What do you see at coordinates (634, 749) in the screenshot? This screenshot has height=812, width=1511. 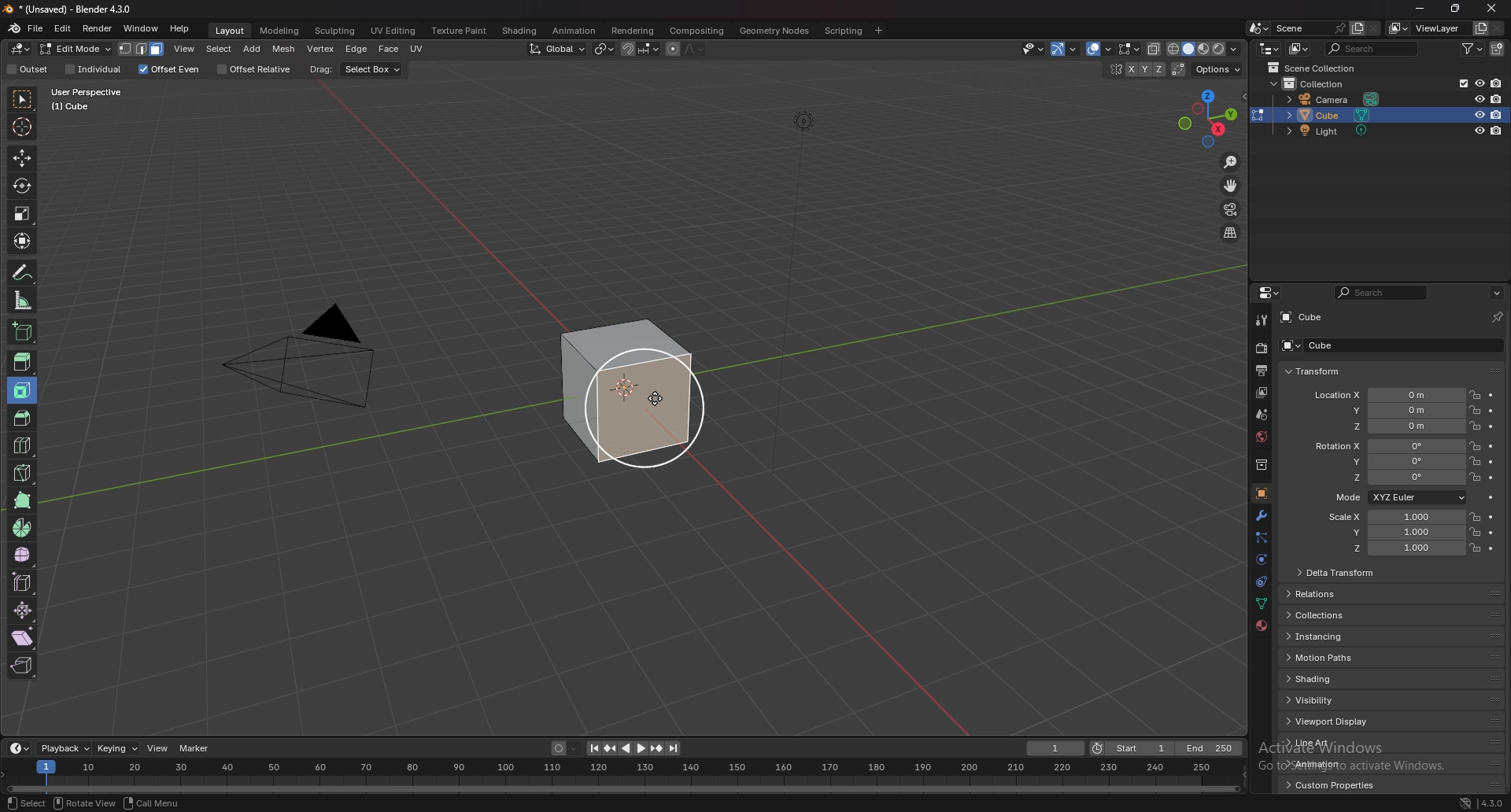 I see `play animation` at bounding box center [634, 749].